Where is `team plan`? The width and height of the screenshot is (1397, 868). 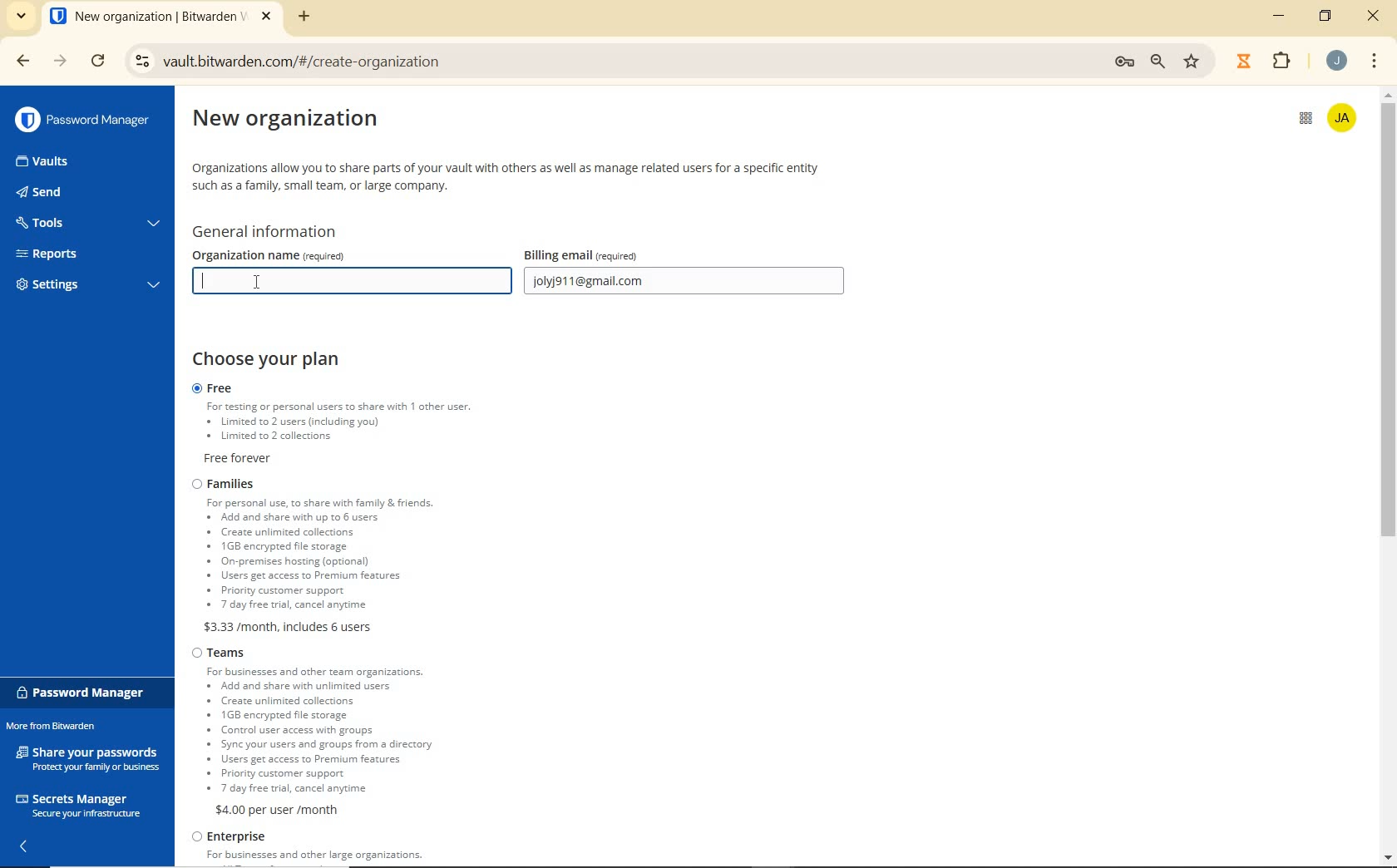
team plan is located at coordinates (322, 731).